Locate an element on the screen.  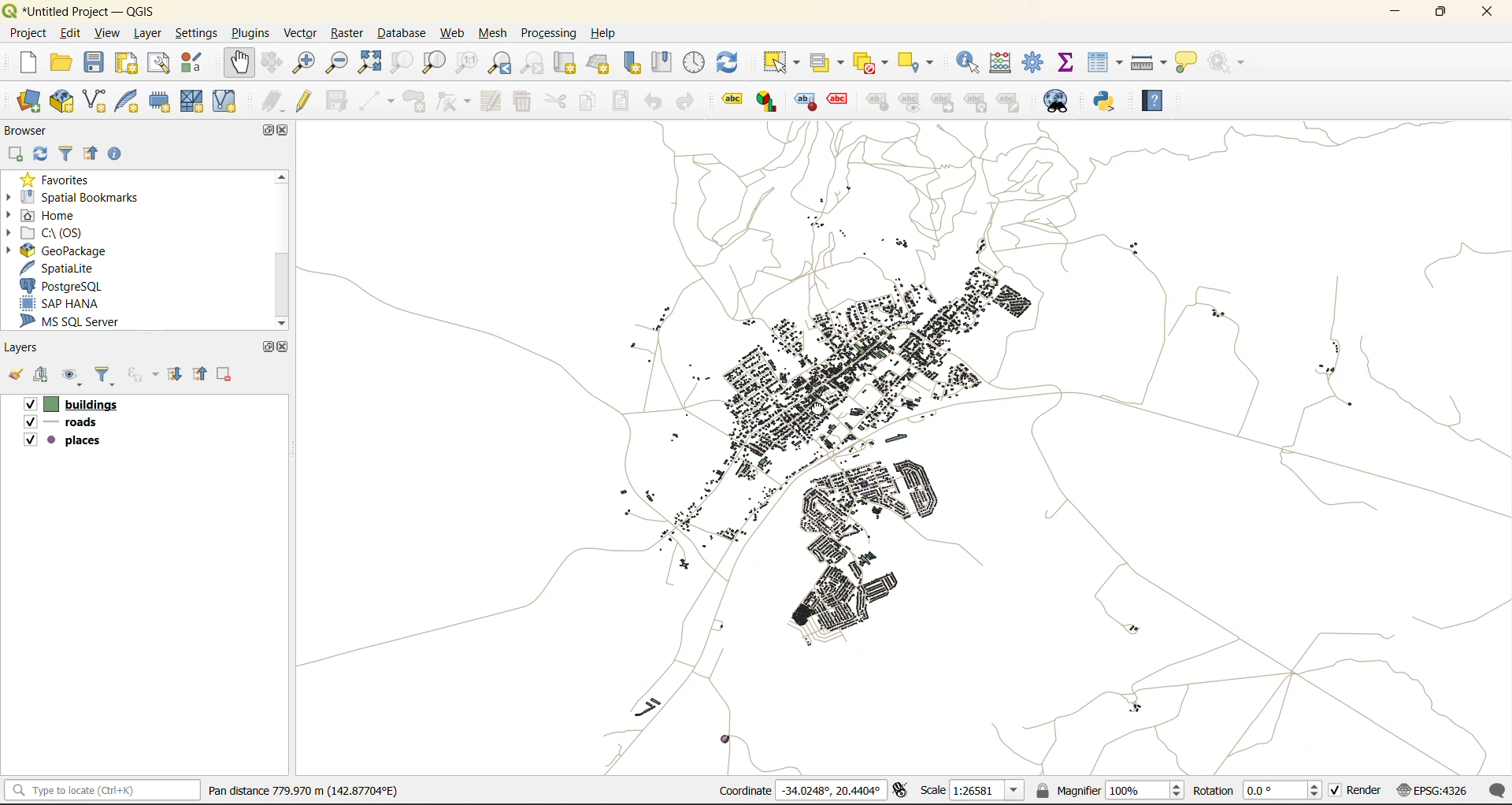
mesh is located at coordinates (496, 33).